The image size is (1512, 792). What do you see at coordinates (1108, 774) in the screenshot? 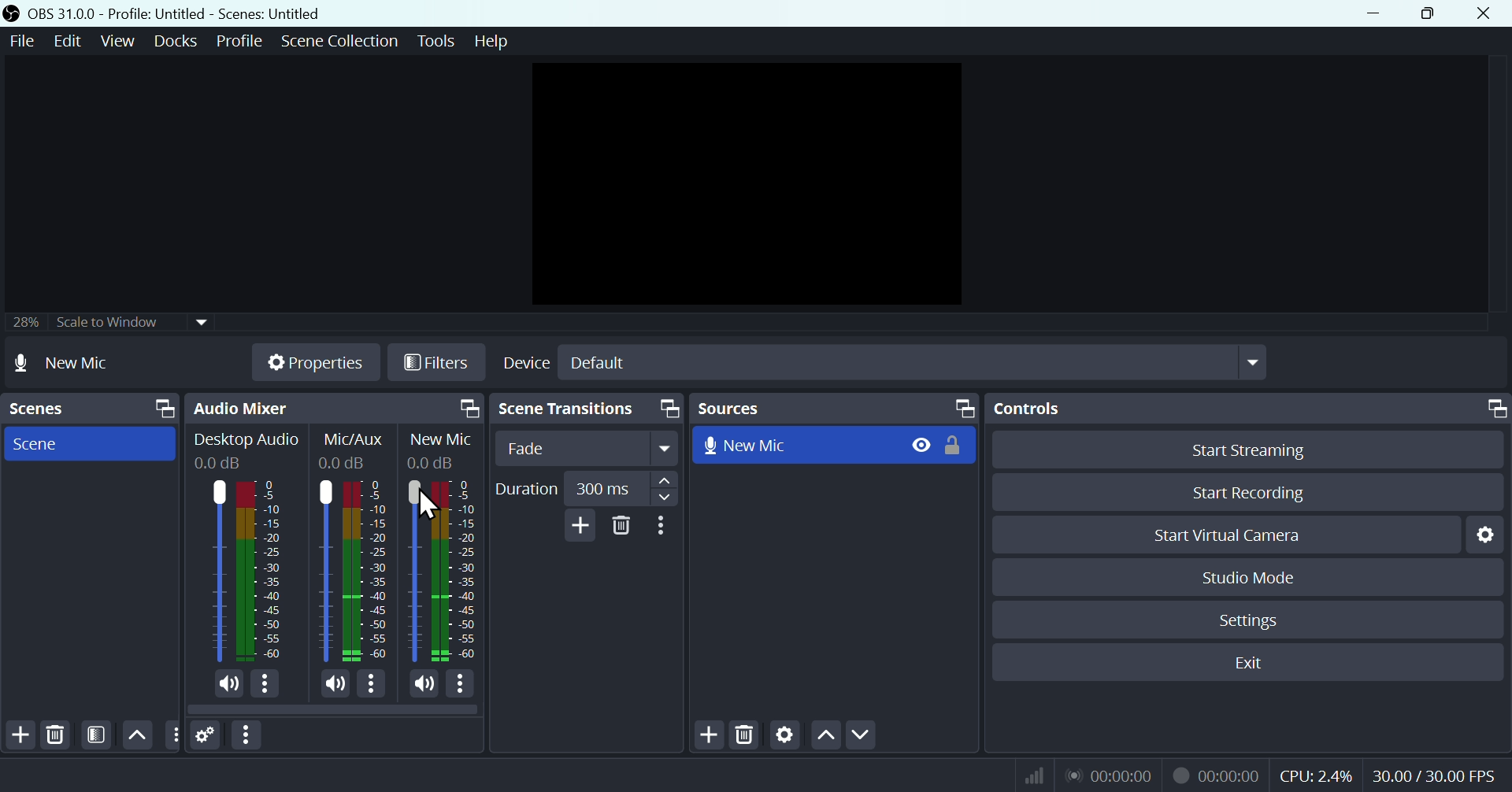
I see `Live Status` at bounding box center [1108, 774].